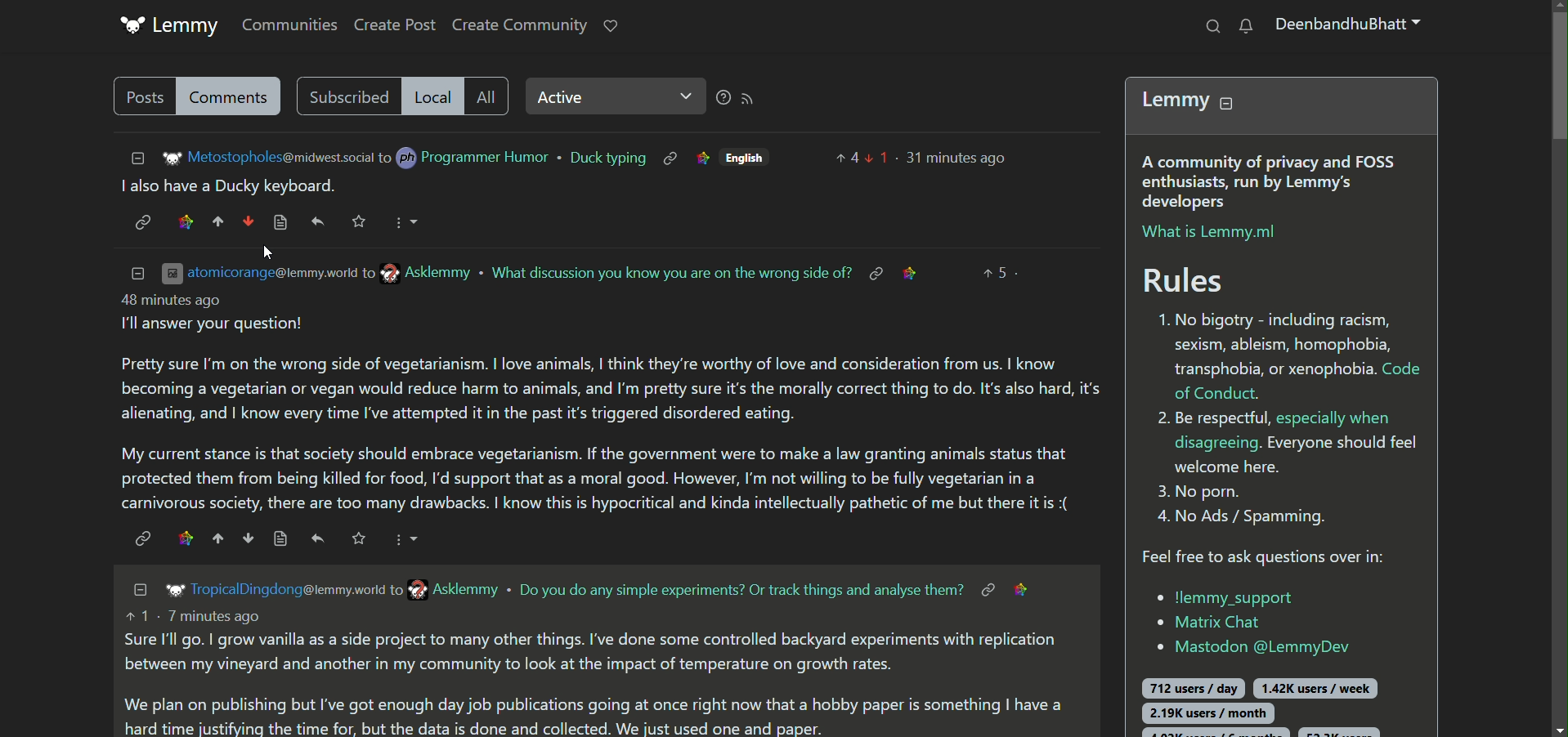 This screenshot has width=1568, height=737. I want to click on highlight, so click(701, 159).